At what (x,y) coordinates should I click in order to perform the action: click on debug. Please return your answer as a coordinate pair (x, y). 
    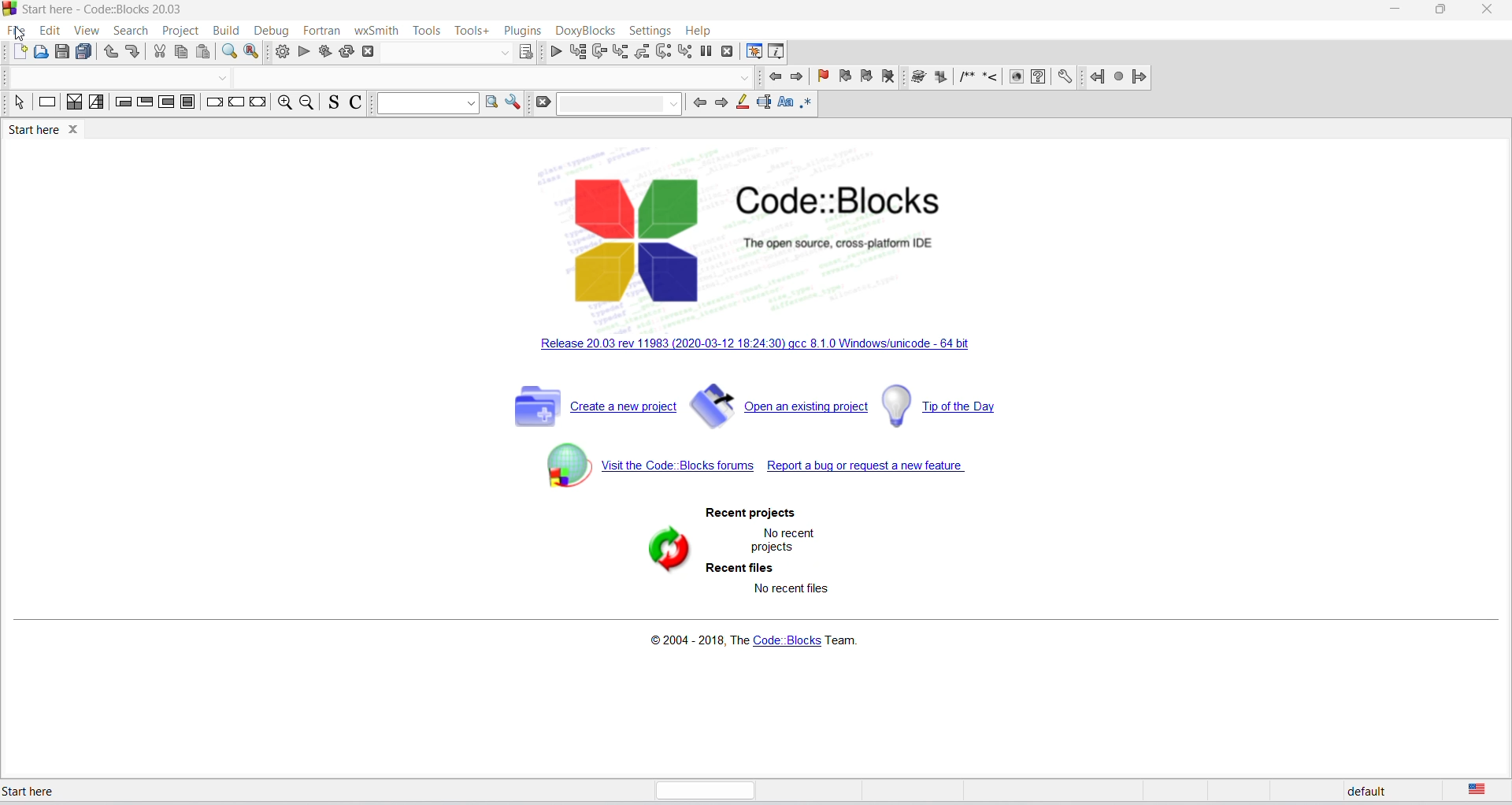
    Looking at the image, I should click on (272, 31).